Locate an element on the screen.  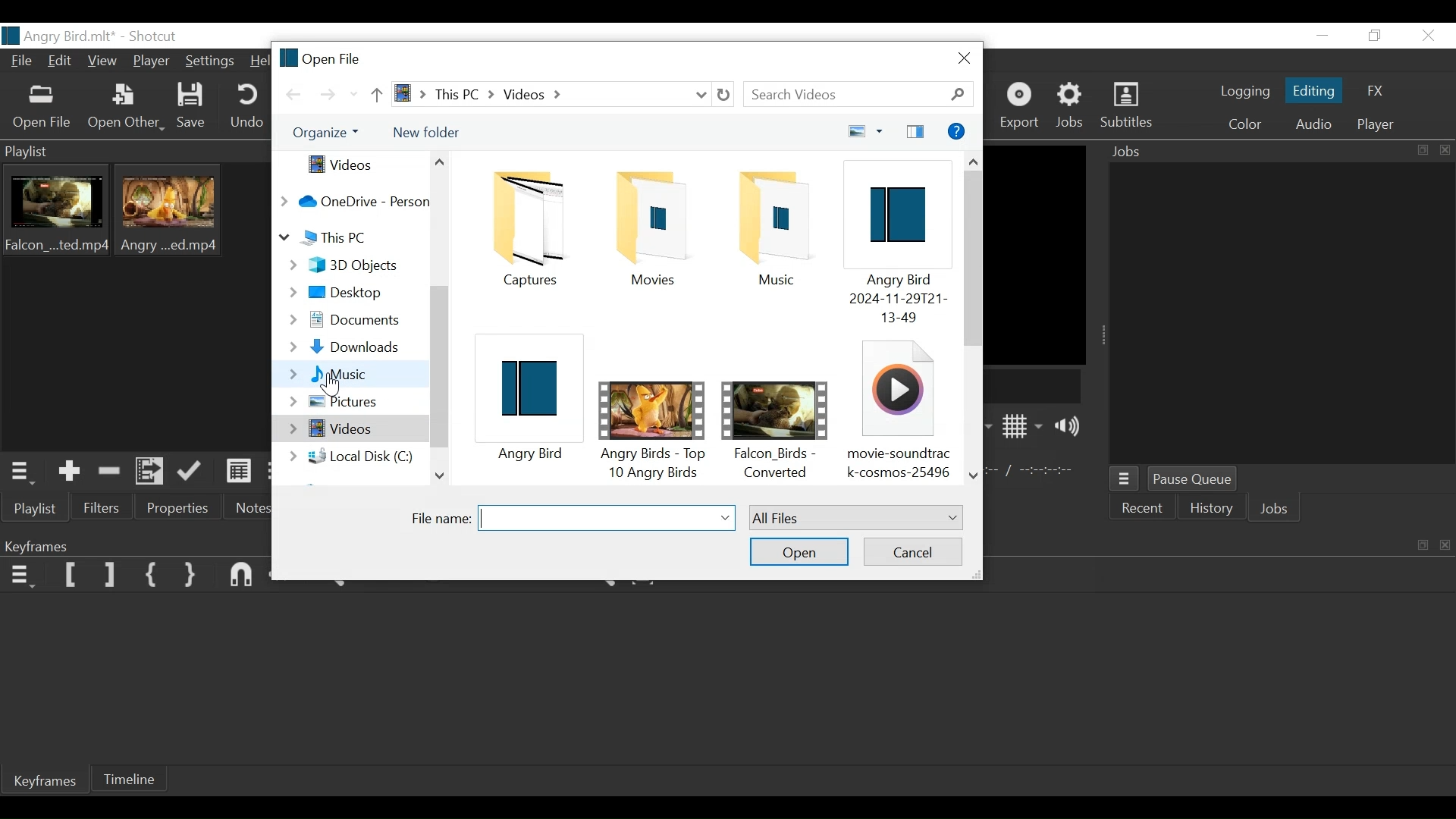
File is located at coordinates (775, 224).